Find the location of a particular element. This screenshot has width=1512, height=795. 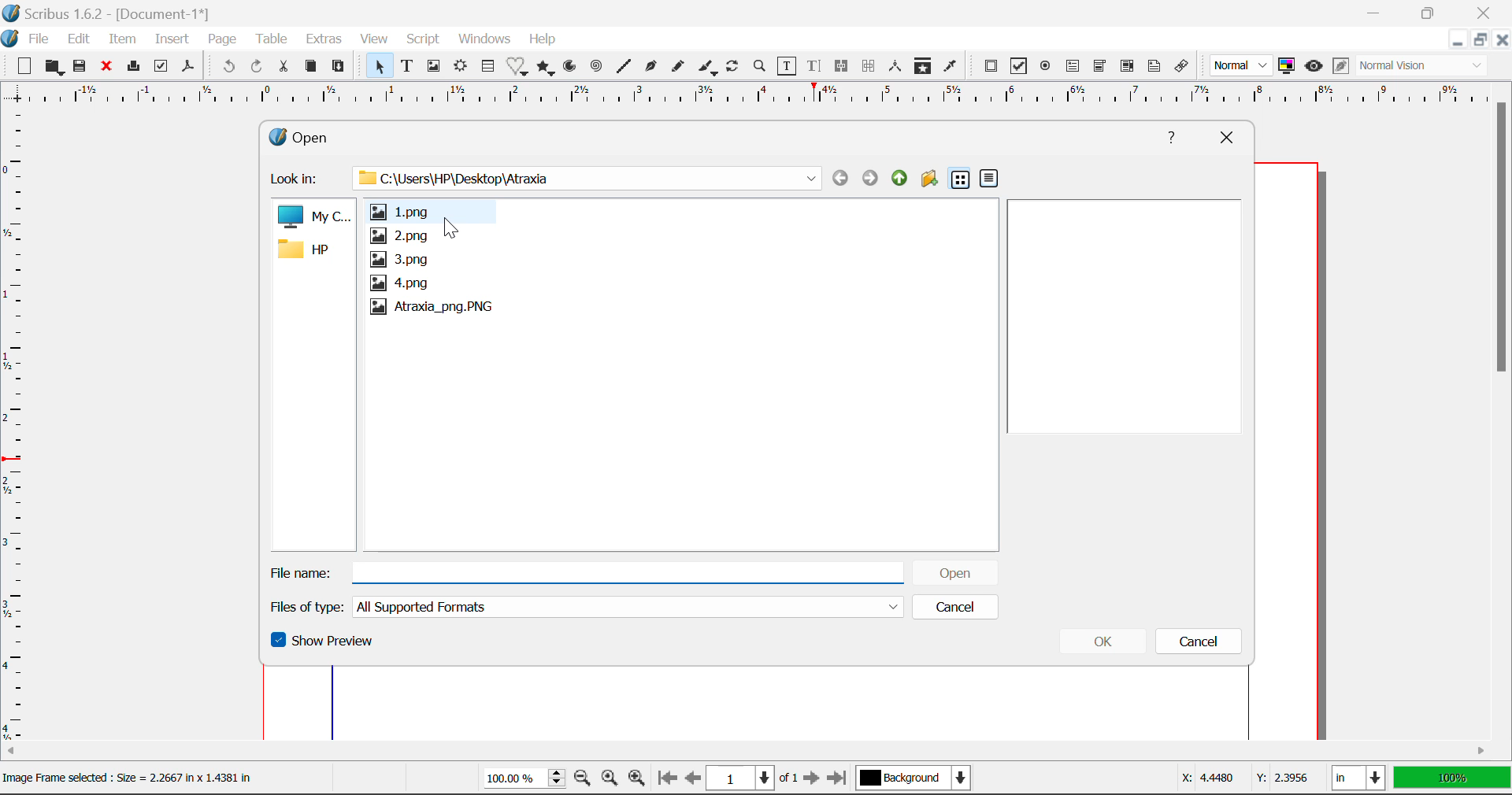

Next is located at coordinates (813, 779).